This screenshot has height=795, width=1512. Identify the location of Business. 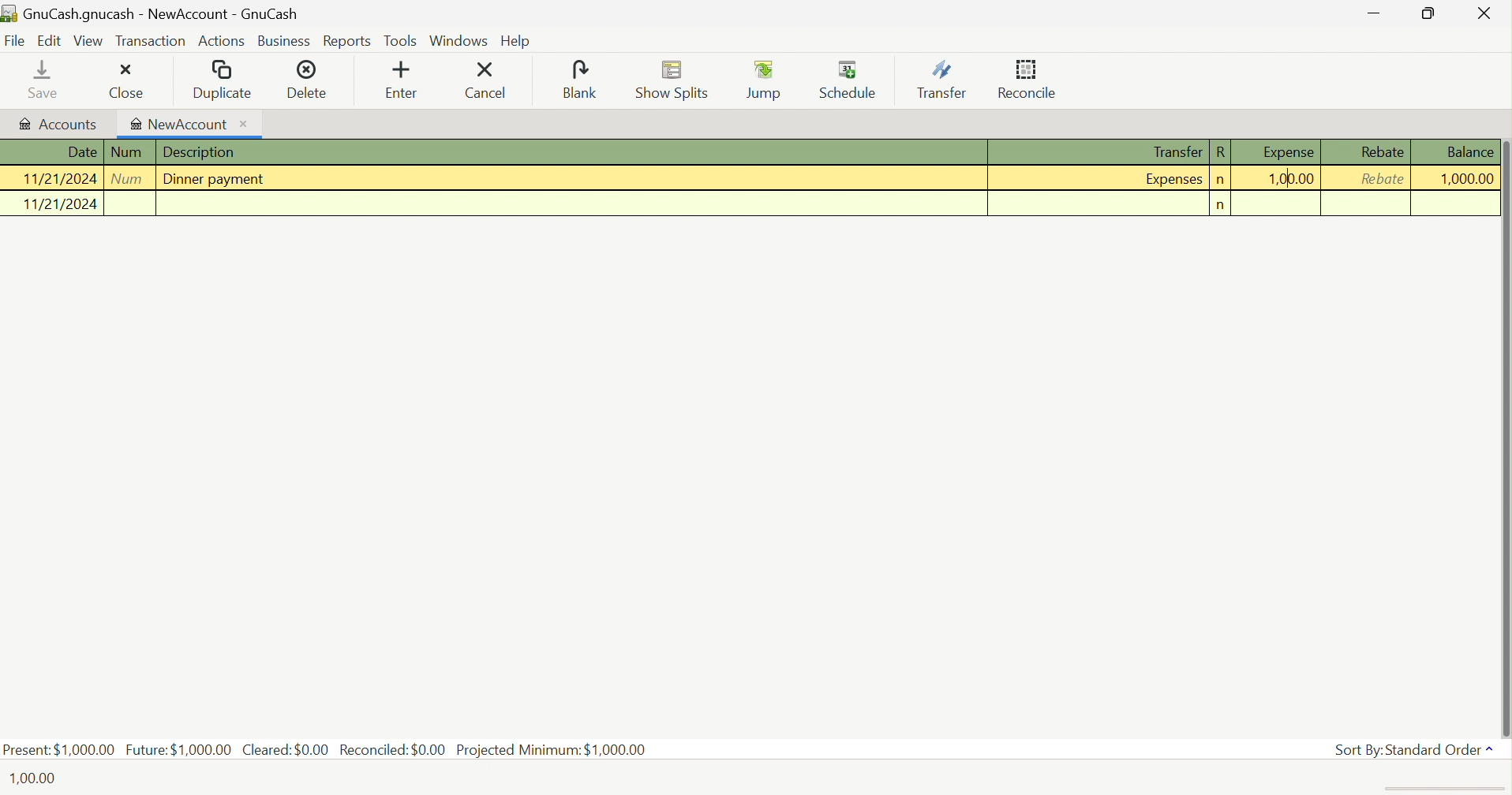
(286, 42).